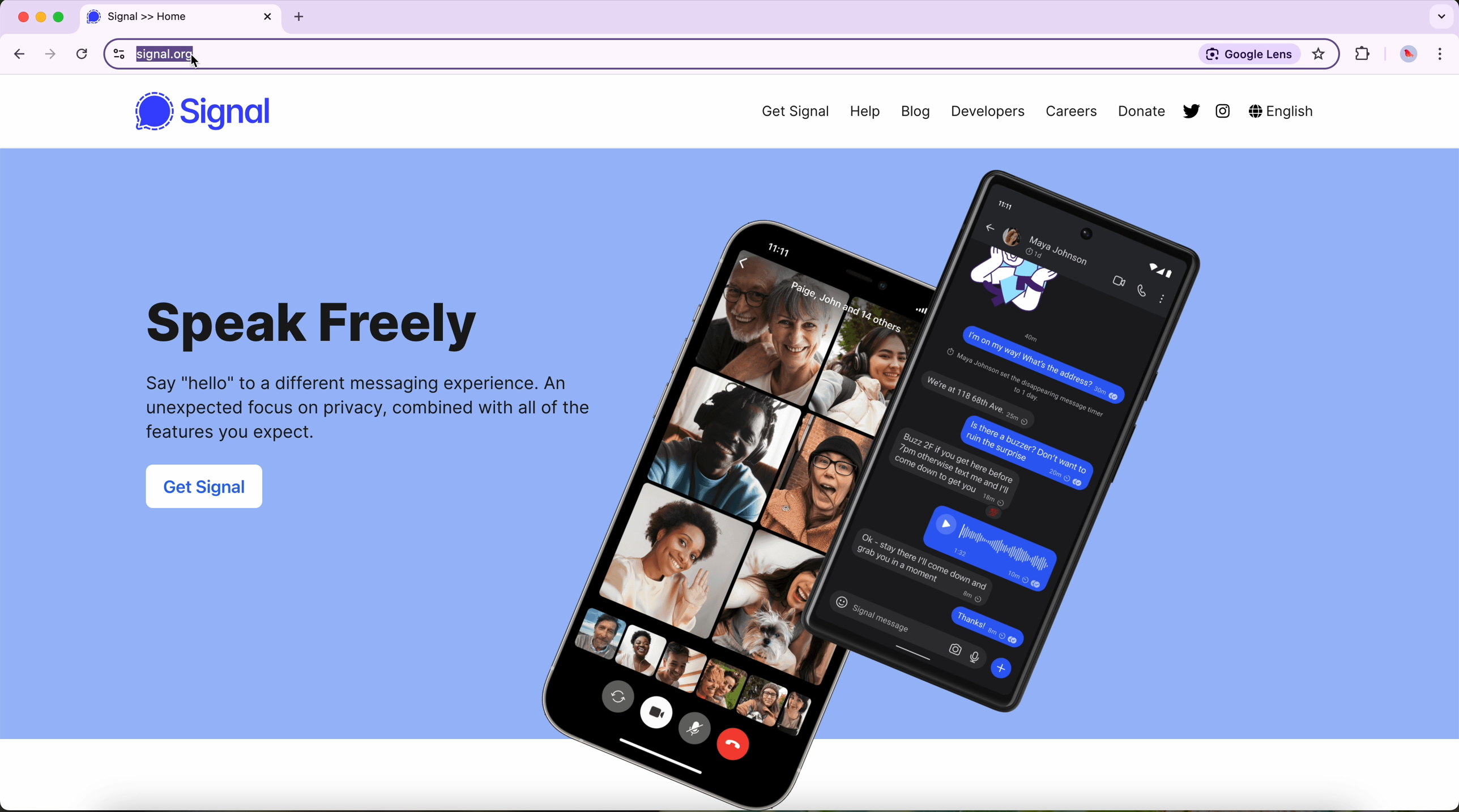 The image size is (1459, 812). What do you see at coordinates (988, 113) in the screenshot?
I see `Developers` at bounding box center [988, 113].